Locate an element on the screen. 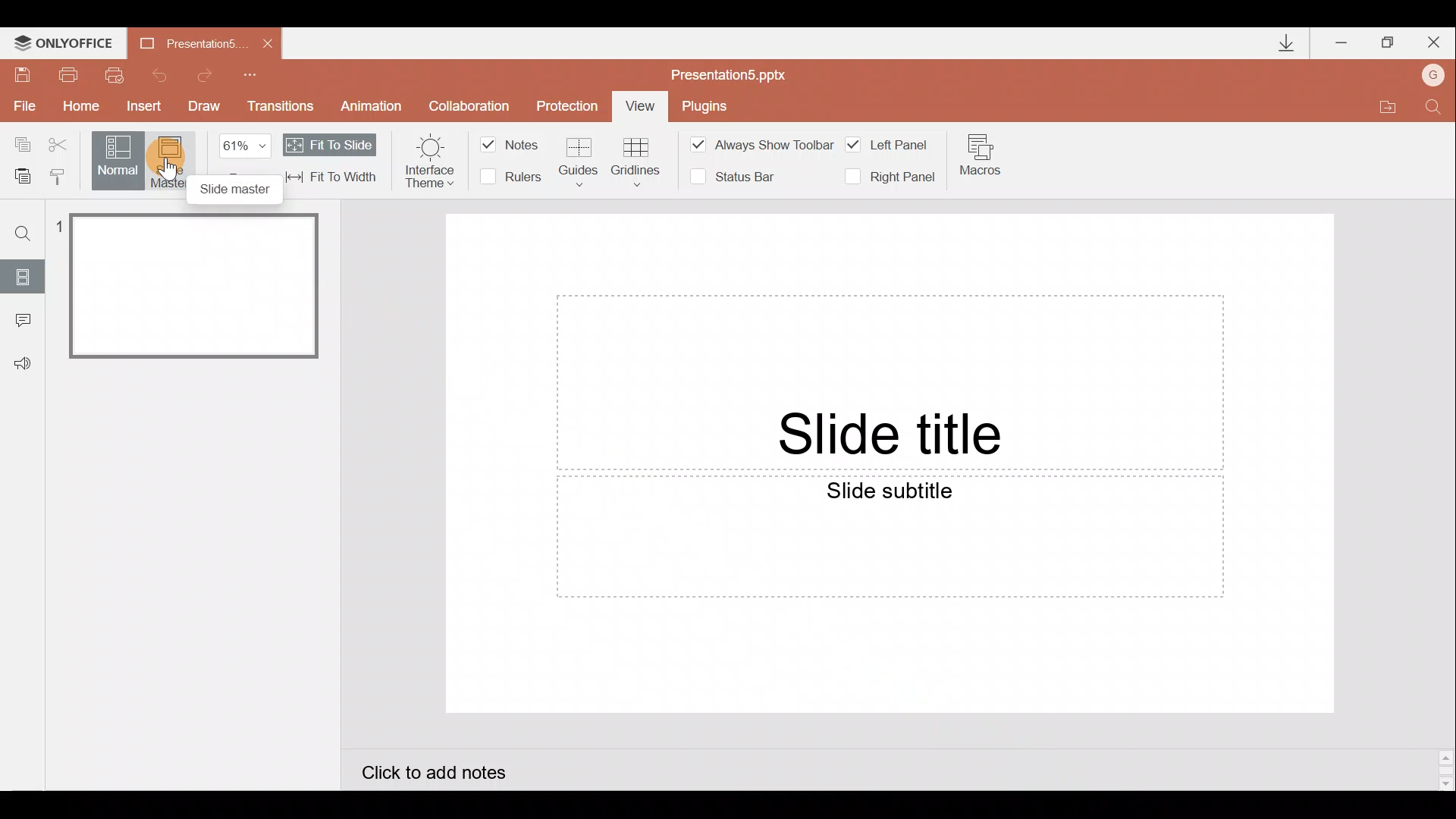  Collaboration is located at coordinates (471, 105).